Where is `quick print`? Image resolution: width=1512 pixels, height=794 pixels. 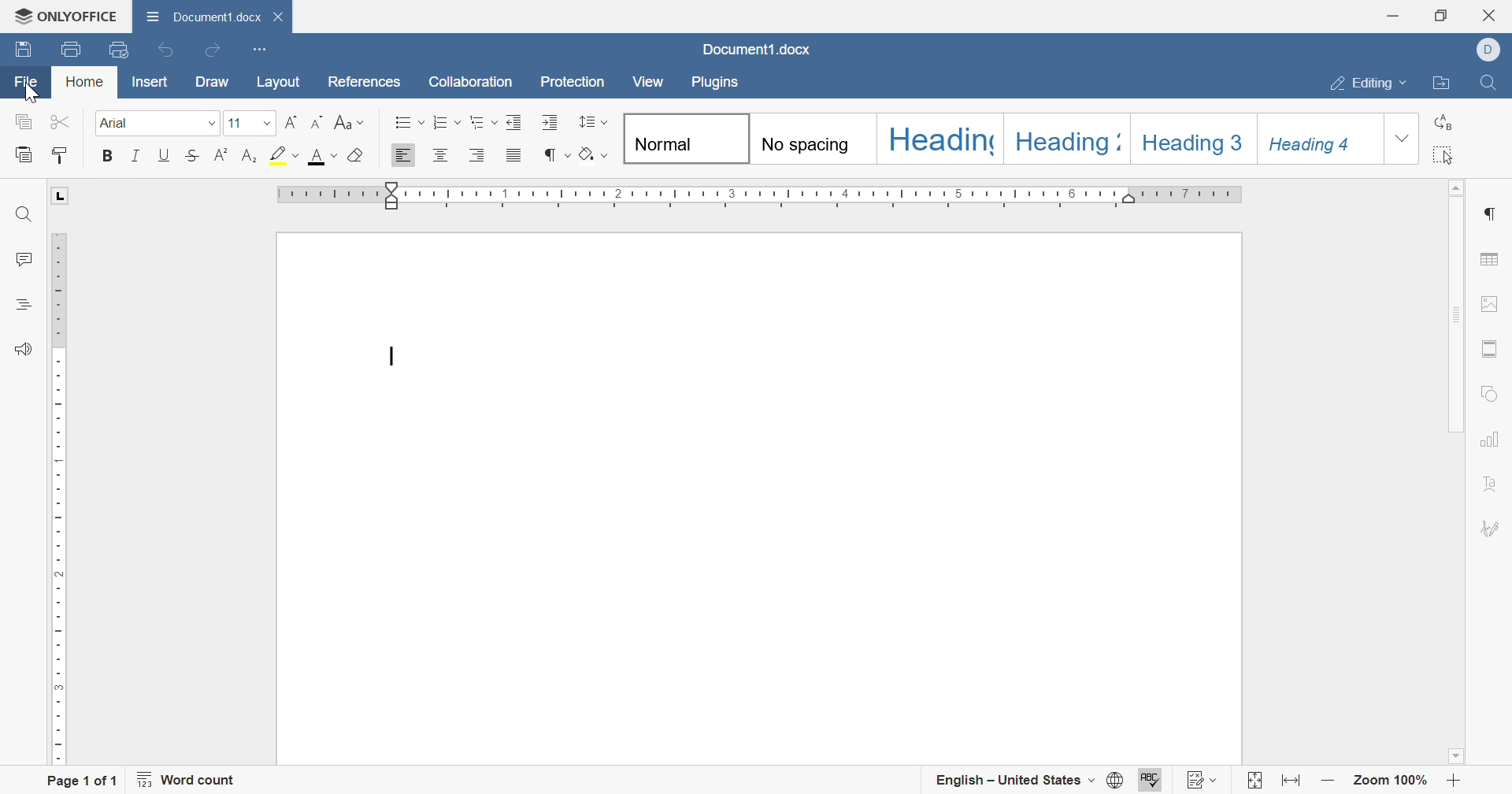 quick print is located at coordinates (117, 48).